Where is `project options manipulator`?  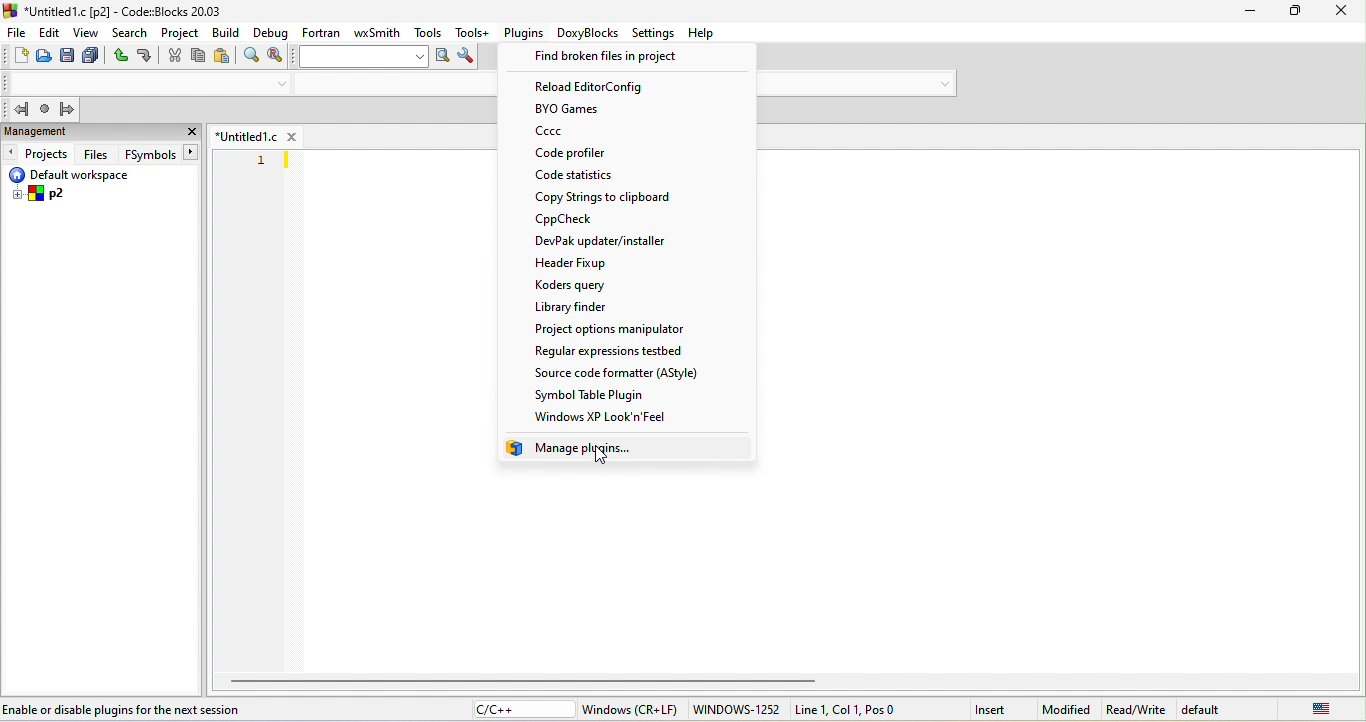
project options manipulator is located at coordinates (612, 329).